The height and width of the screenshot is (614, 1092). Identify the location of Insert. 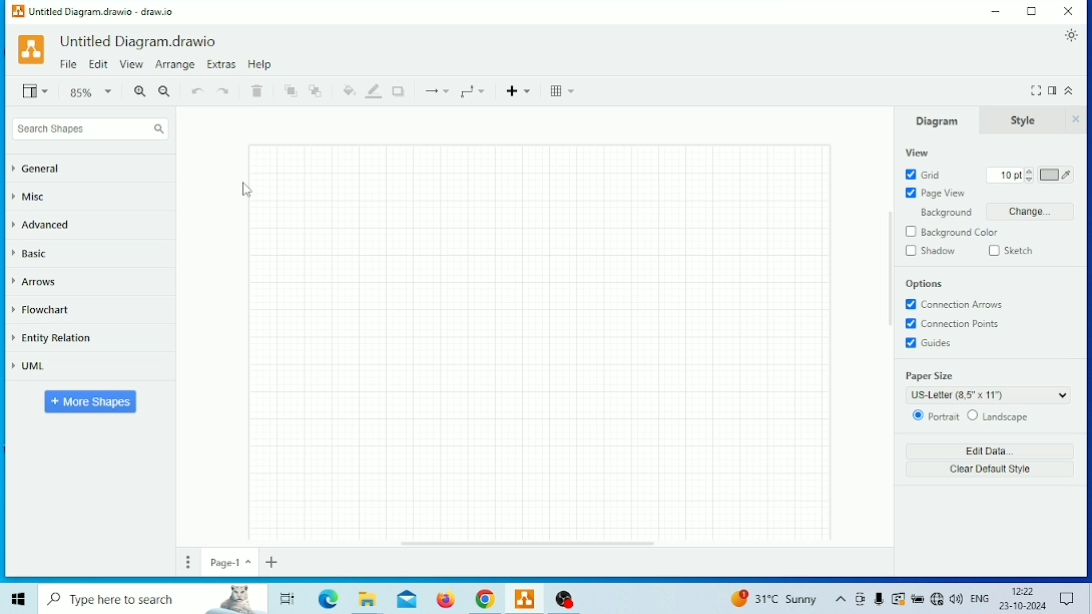
(521, 89).